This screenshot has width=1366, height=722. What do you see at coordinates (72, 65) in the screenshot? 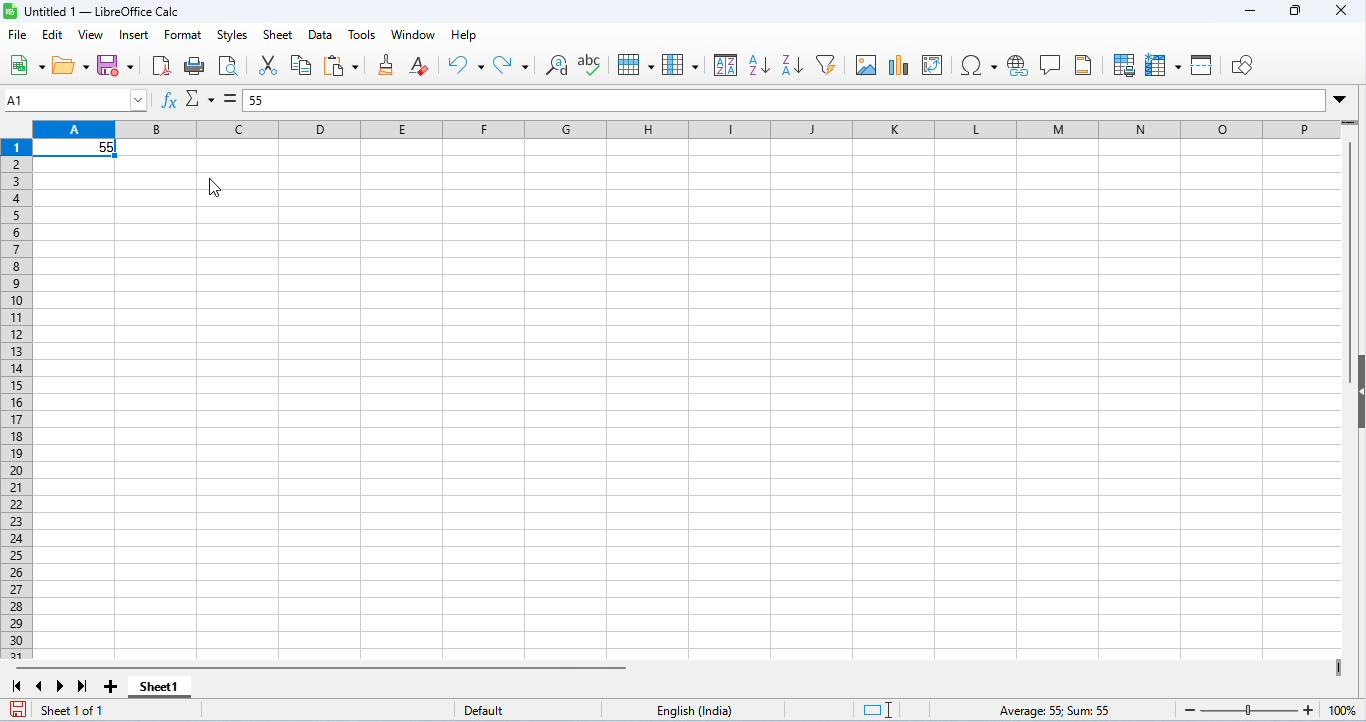
I see `open` at bounding box center [72, 65].